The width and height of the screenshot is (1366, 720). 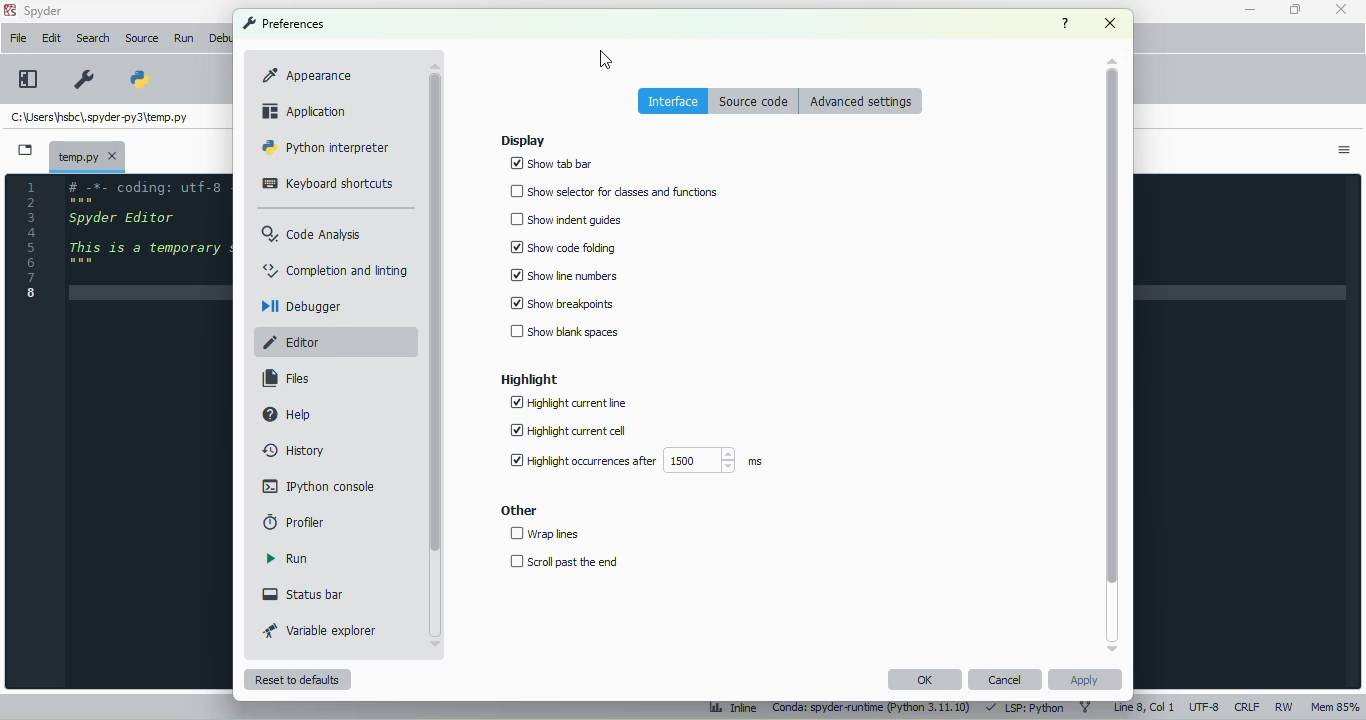 I want to click on inline, so click(x=733, y=707).